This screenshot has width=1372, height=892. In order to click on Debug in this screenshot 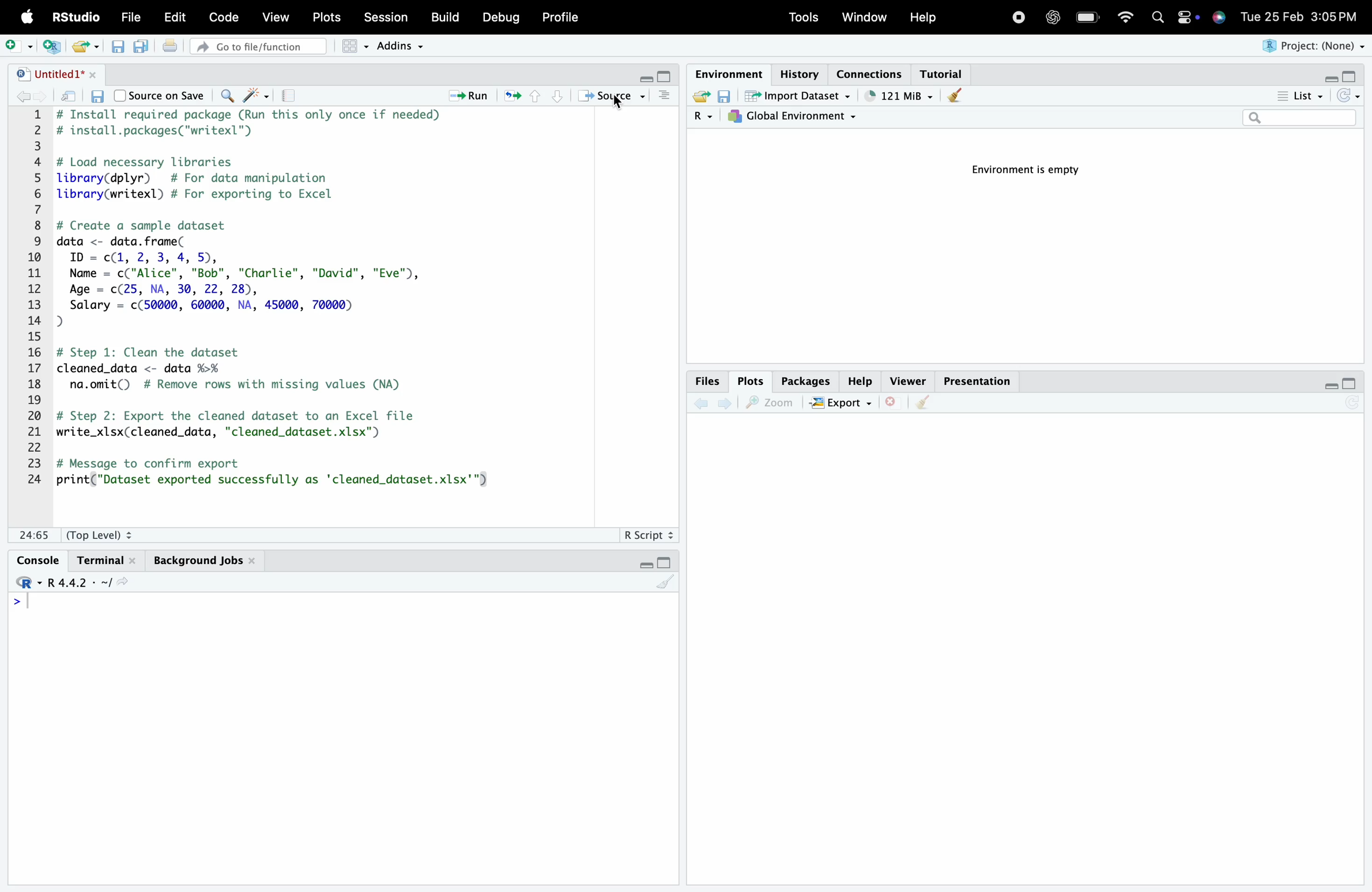, I will do `click(499, 18)`.